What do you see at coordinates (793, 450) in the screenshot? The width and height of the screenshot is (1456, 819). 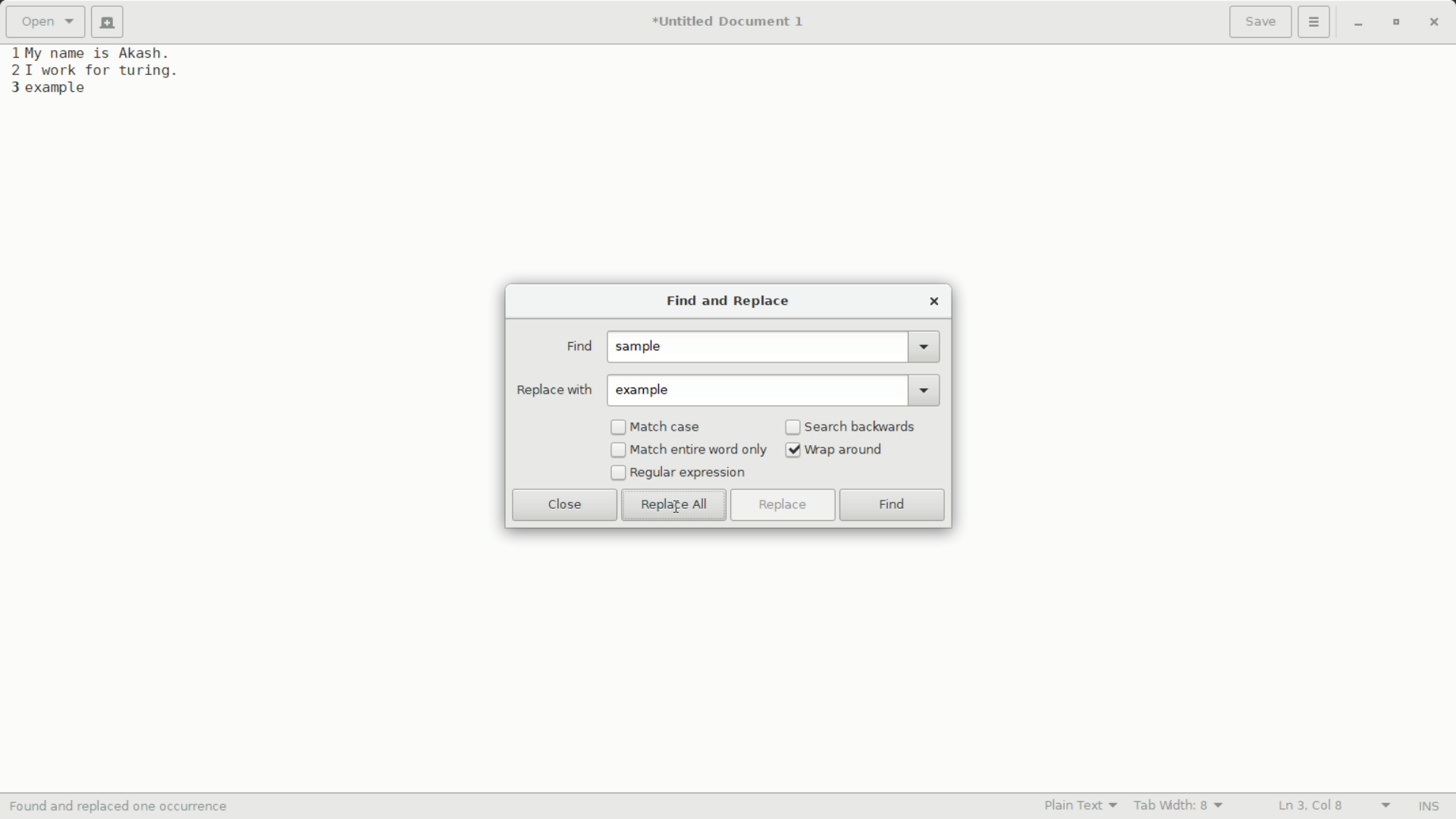 I see `Checked checkbox` at bounding box center [793, 450].